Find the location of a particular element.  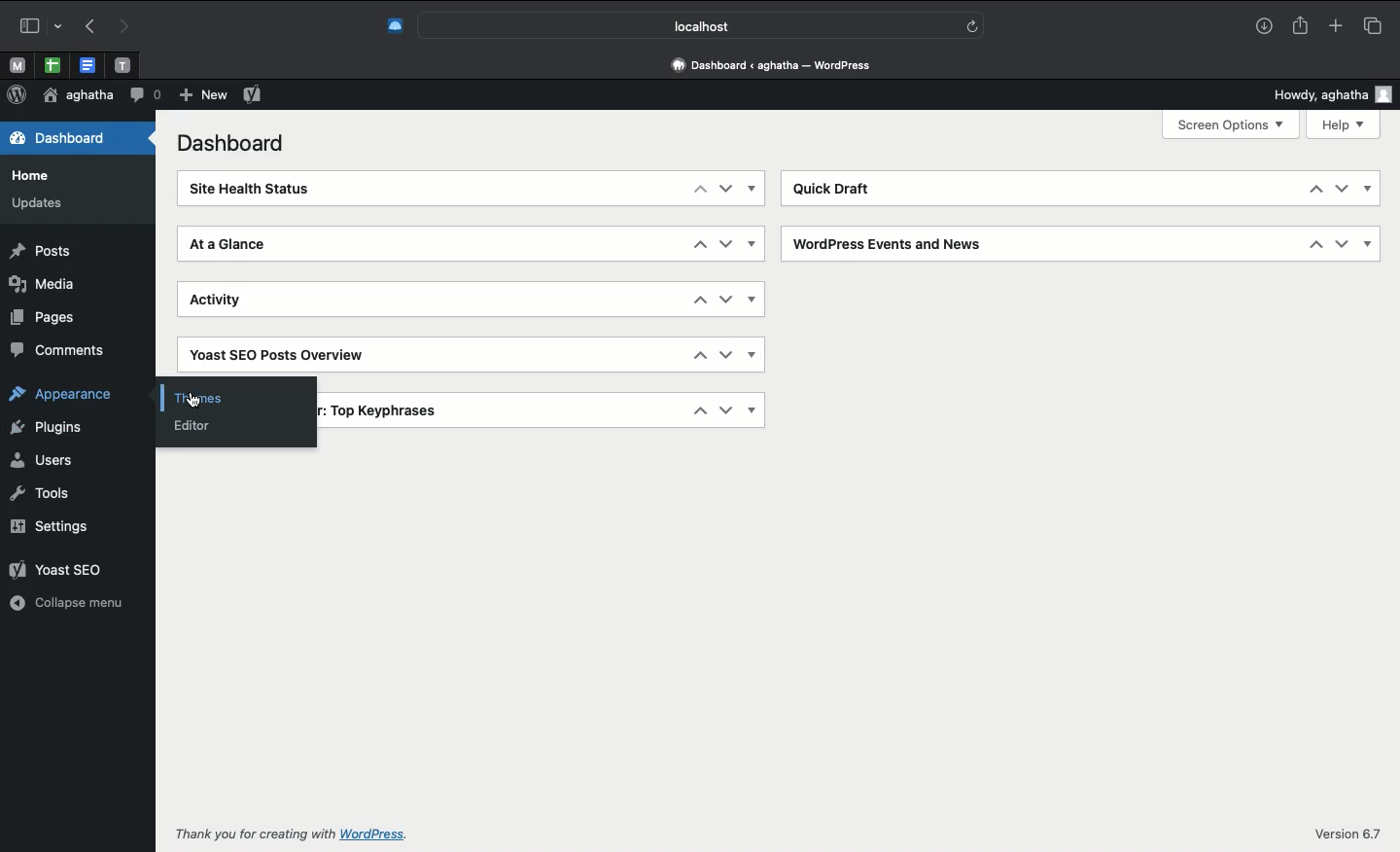

Howdy user is located at coordinates (1327, 94).